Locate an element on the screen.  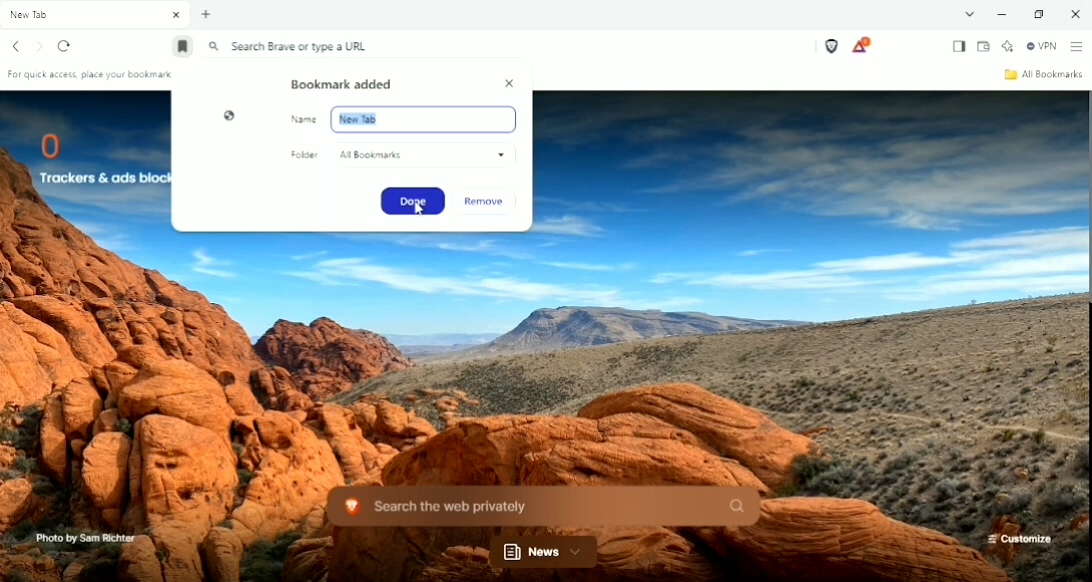
Folder is located at coordinates (397, 156).